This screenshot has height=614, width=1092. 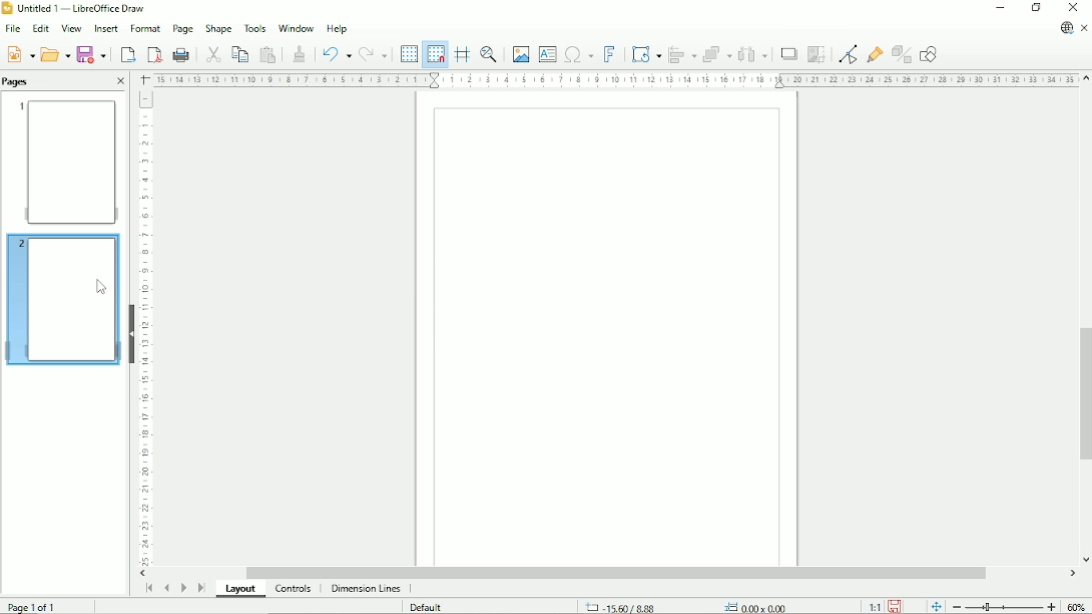 What do you see at coordinates (608, 330) in the screenshot?
I see `Canvas` at bounding box center [608, 330].